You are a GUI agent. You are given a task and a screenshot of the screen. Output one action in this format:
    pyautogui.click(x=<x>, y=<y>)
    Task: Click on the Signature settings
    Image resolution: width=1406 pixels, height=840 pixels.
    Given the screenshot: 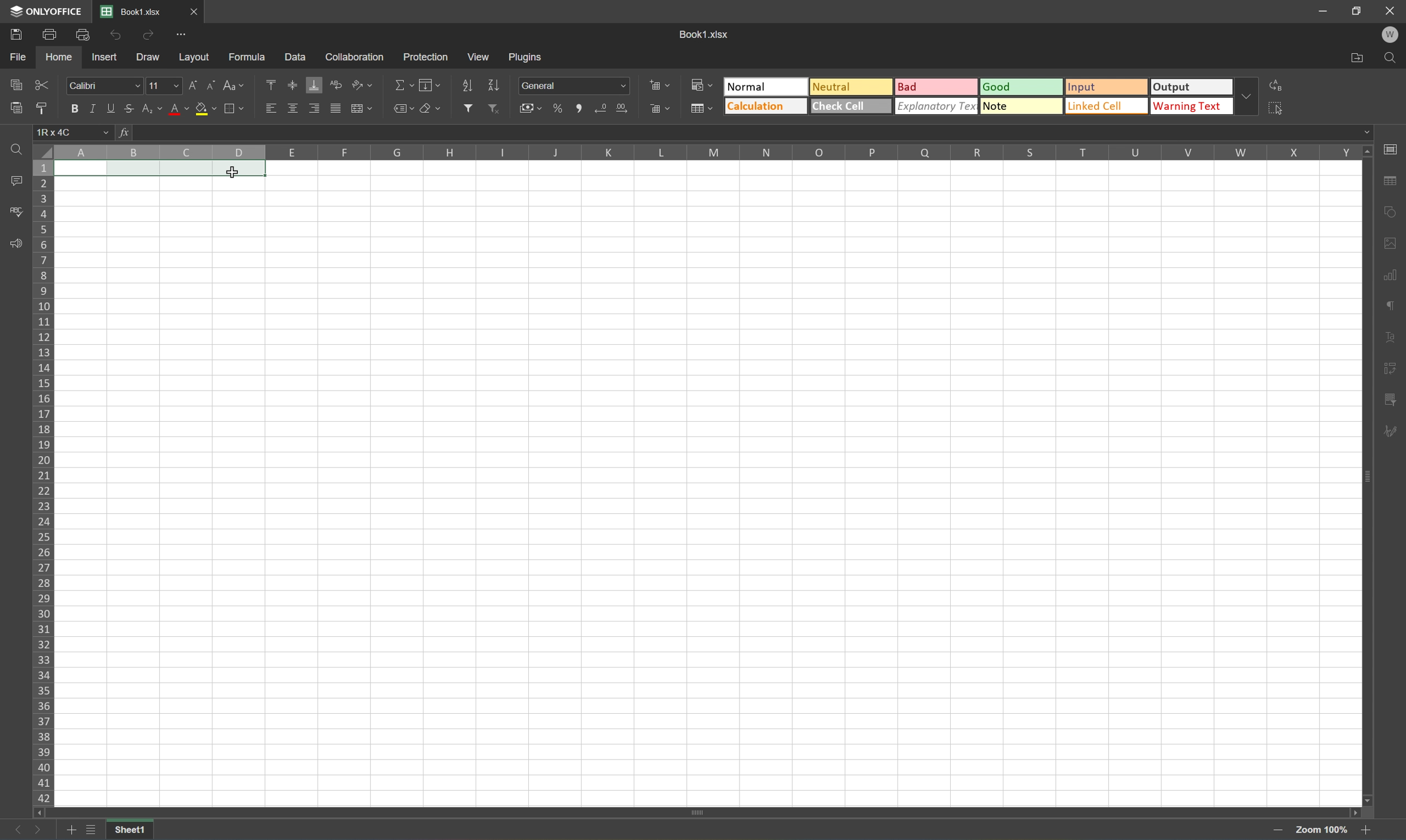 What is the action you would take?
    pyautogui.click(x=1390, y=436)
    